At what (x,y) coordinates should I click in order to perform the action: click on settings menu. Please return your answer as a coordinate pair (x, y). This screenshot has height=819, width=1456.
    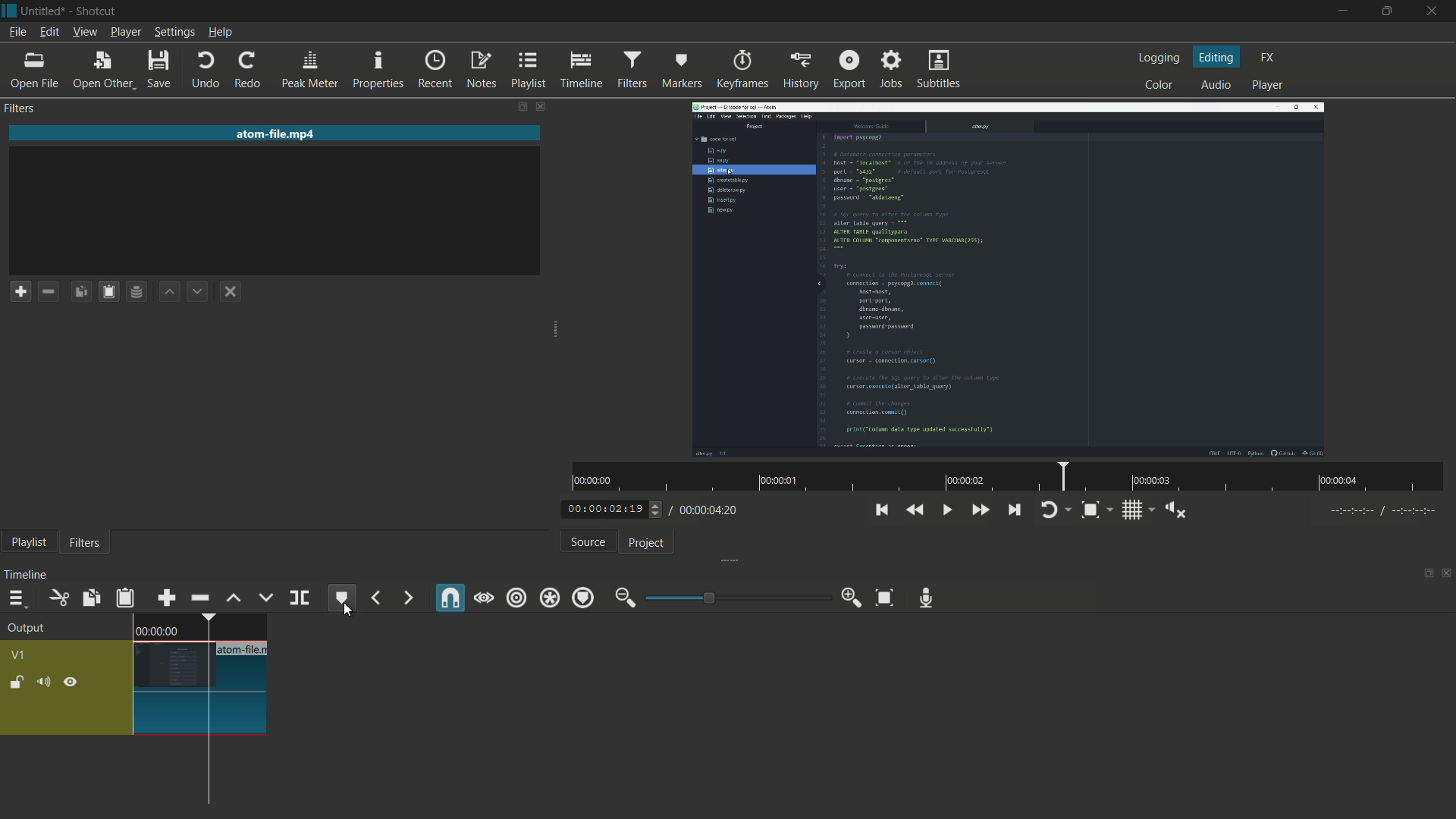
    Looking at the image, I should click on (172, 33).